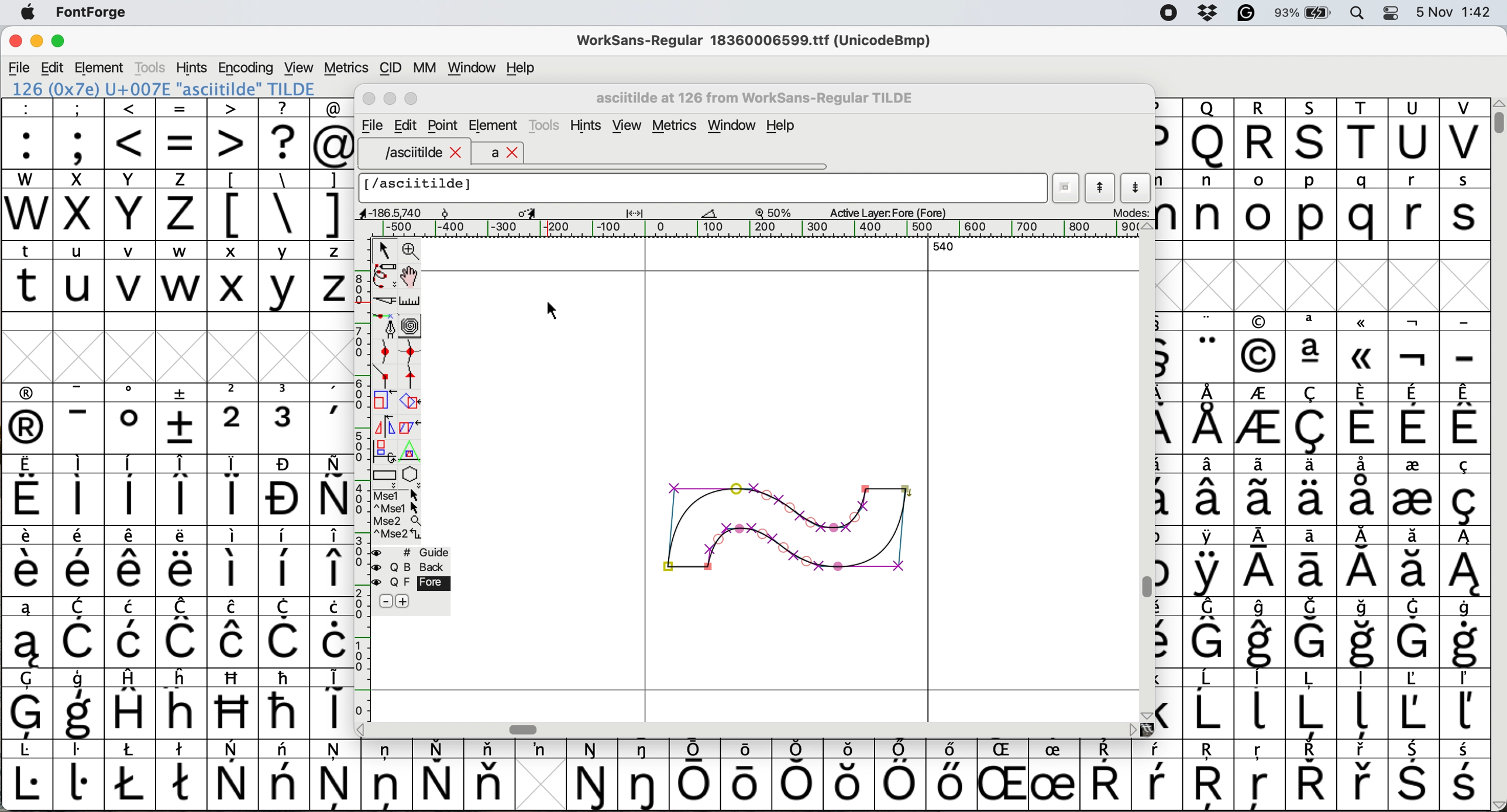 The width and height of the screenshot is (1507, 812). Describe the element at coordinates (679, 127) in the screenshot. I see `metrics` at that location.